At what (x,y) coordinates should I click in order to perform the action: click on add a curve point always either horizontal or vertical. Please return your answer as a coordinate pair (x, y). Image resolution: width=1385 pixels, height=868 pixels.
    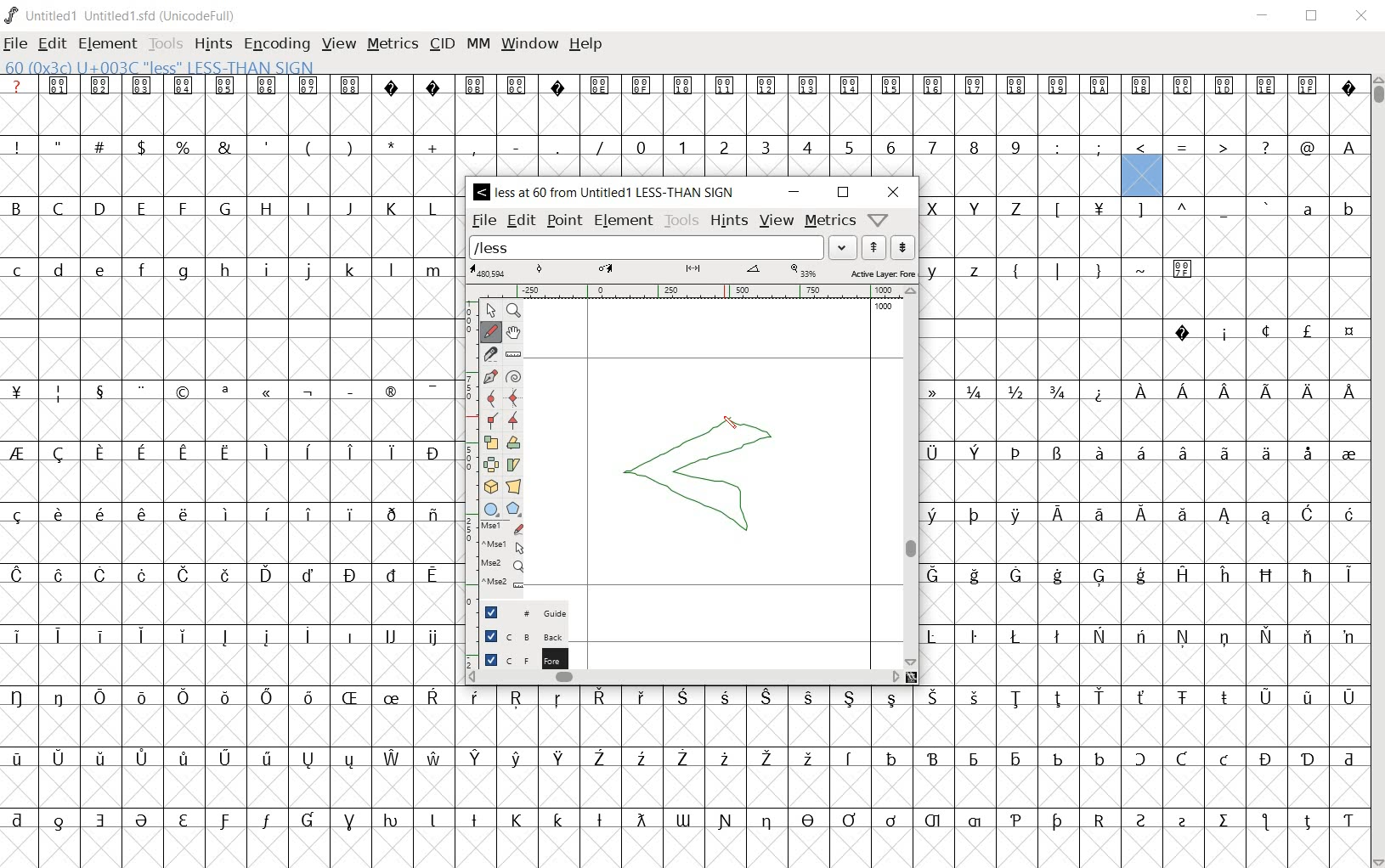
    Looking at the image, I should click on (512, 397).